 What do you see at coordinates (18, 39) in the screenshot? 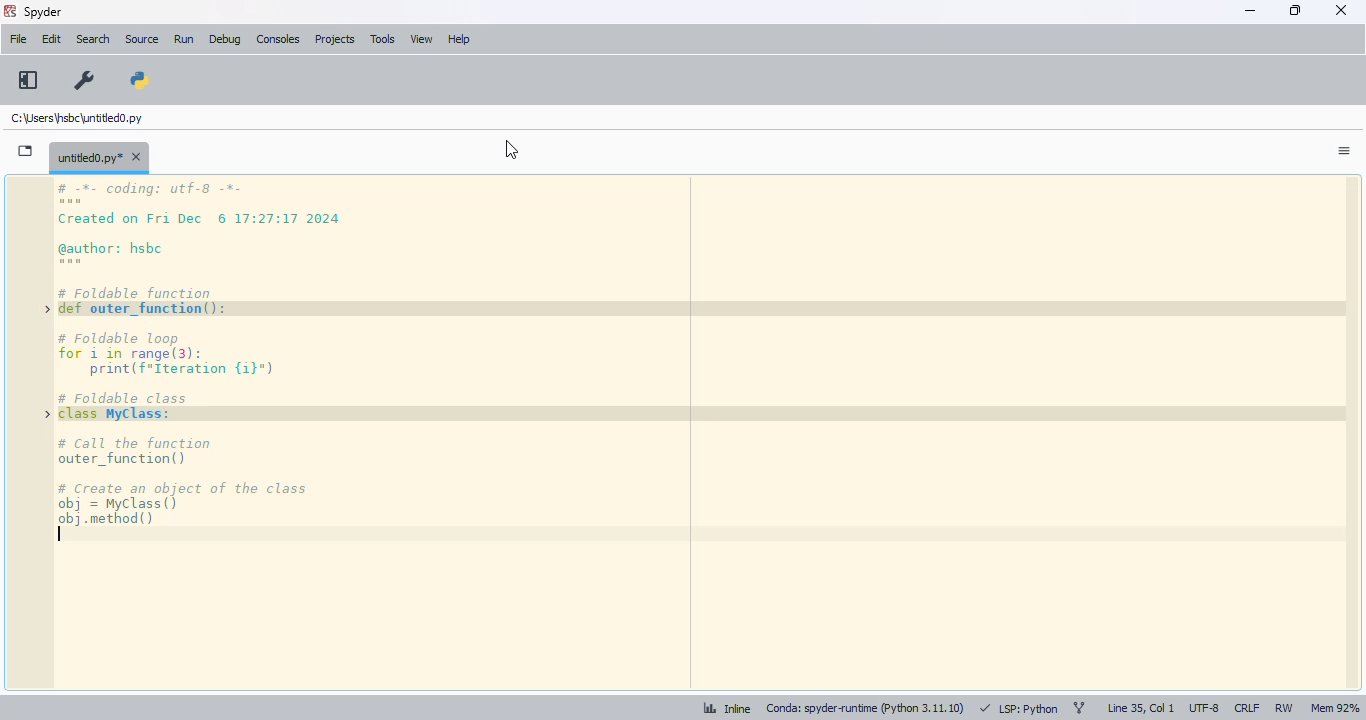
I see `file` at bounding box center [18, 39].